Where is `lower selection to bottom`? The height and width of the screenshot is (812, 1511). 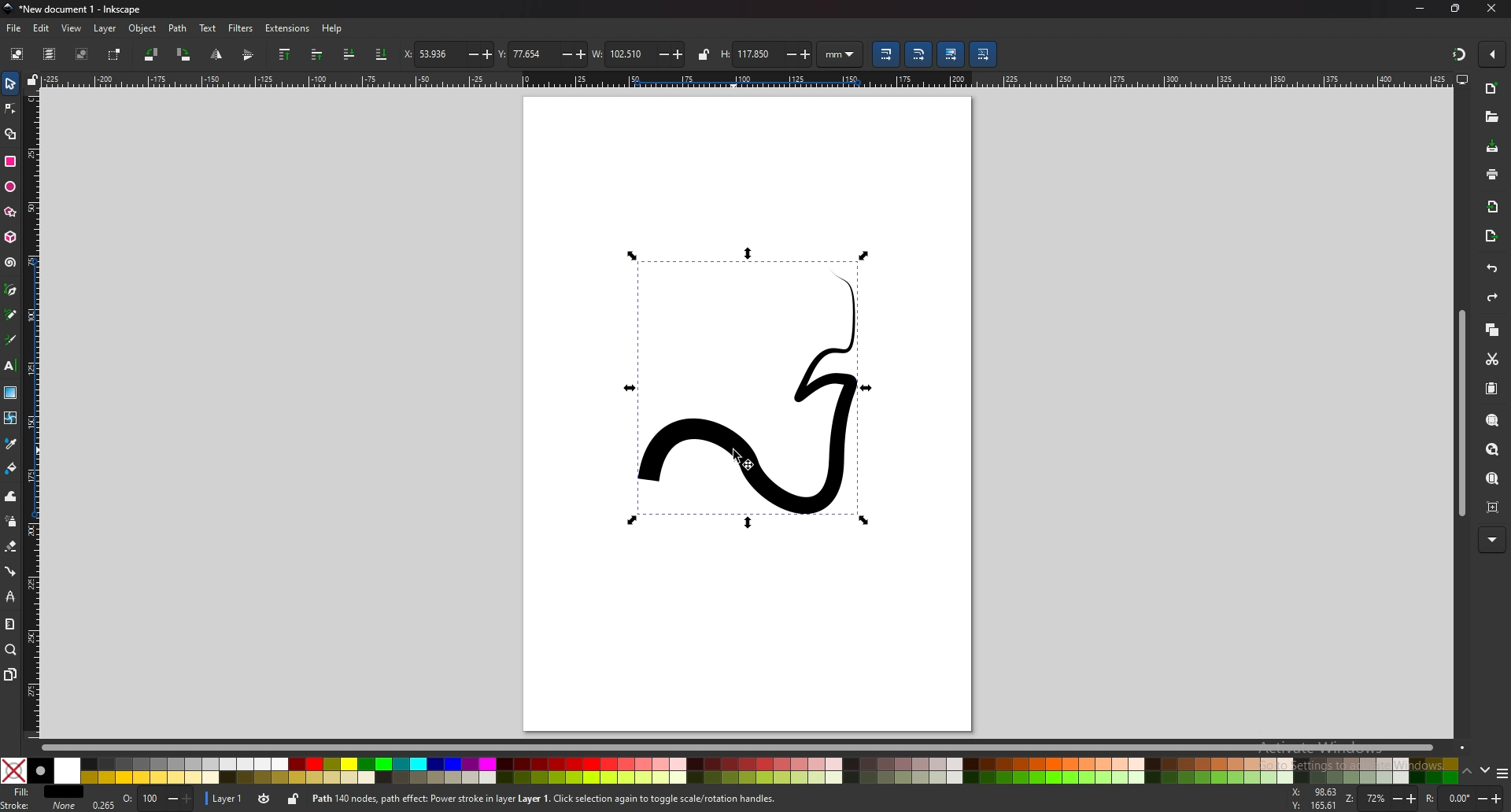
lower selection to bottom is located at coordinates (381, 54).